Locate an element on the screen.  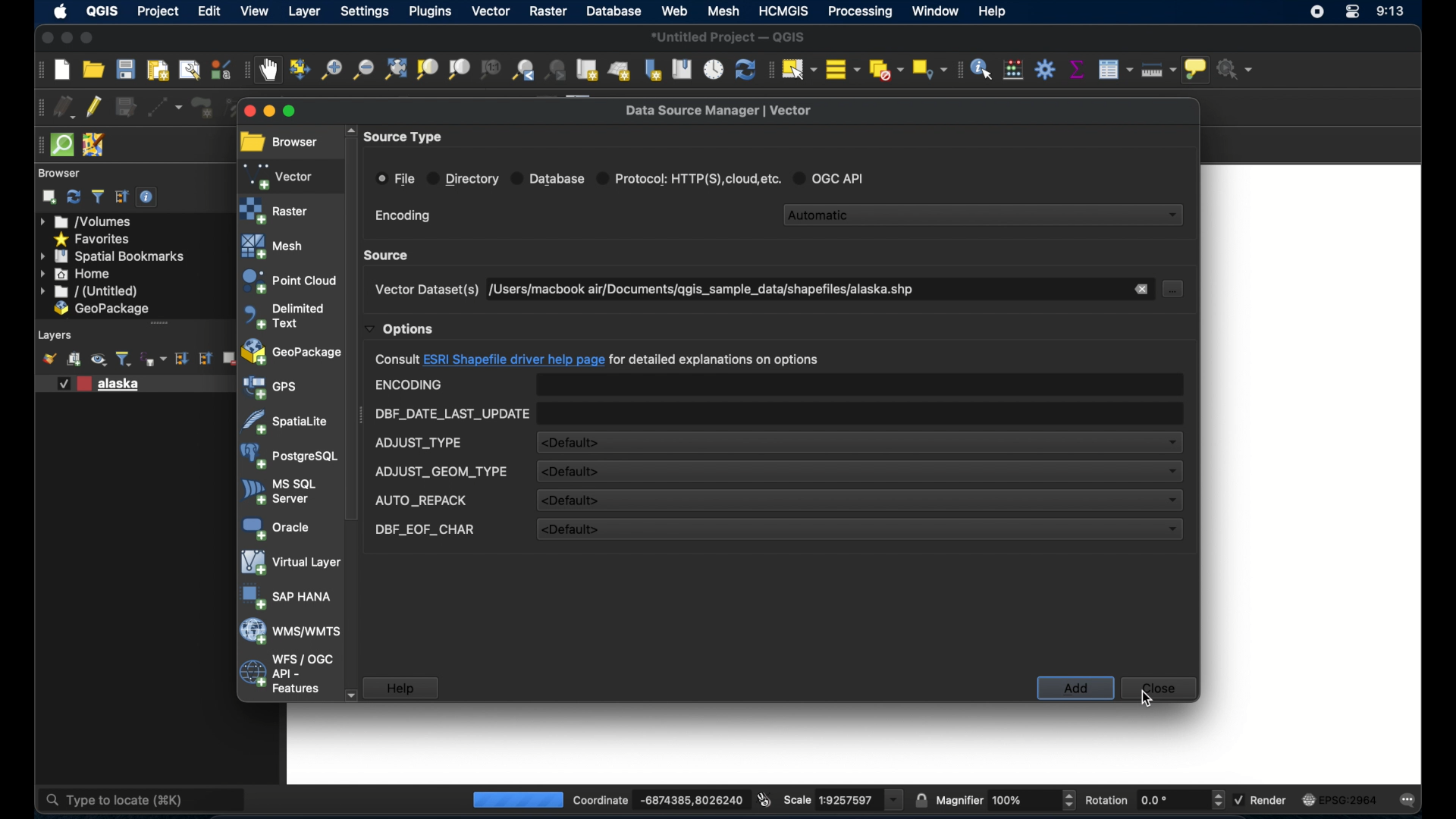
refresh is located at coordinates (744, 69).